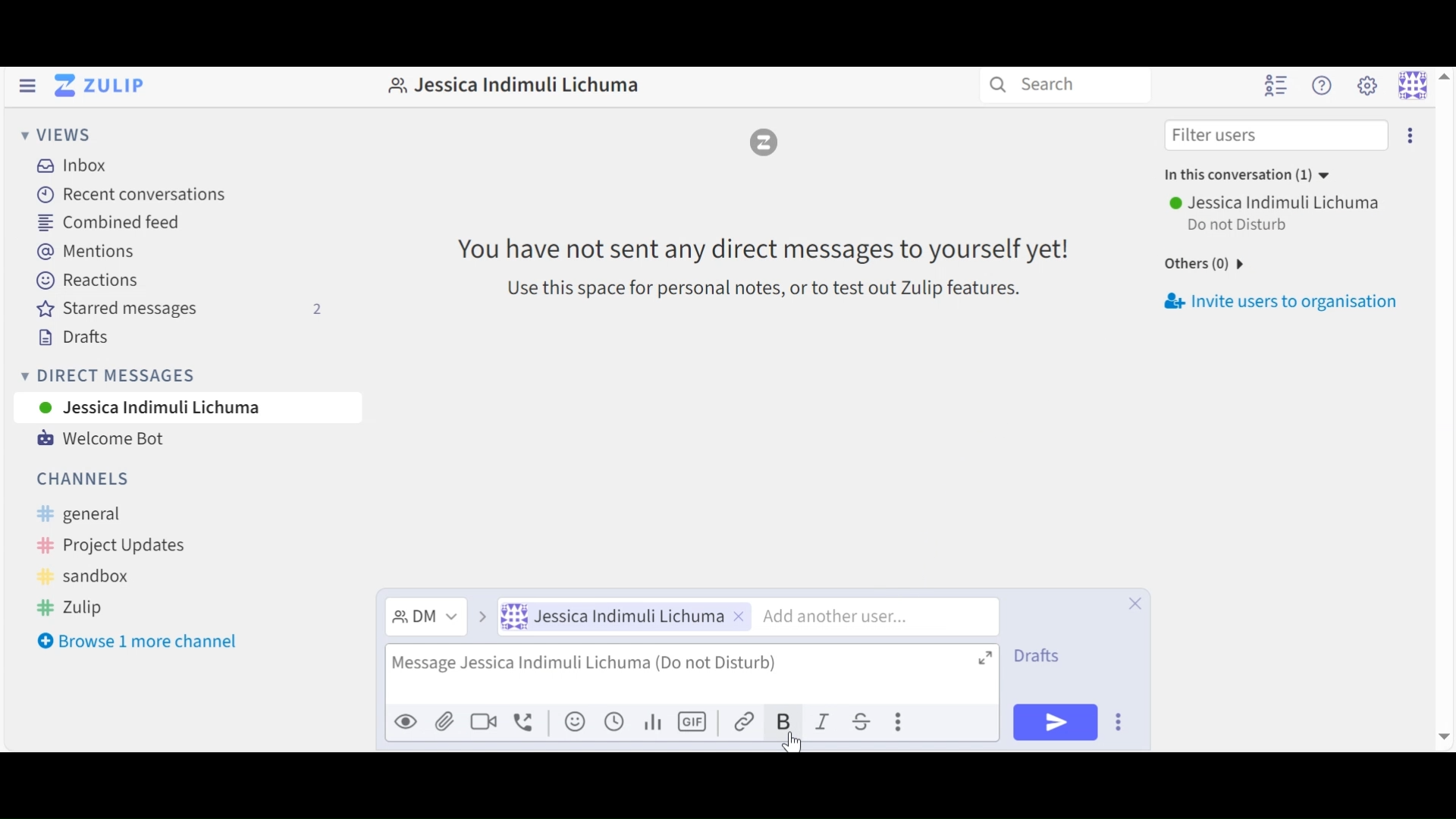 The width and height of the screenshot is (1456, 819). What do you see at coordinates (1199, 265) in the screenshot?
I see `others (0)` at bounding box center [1199, 265].